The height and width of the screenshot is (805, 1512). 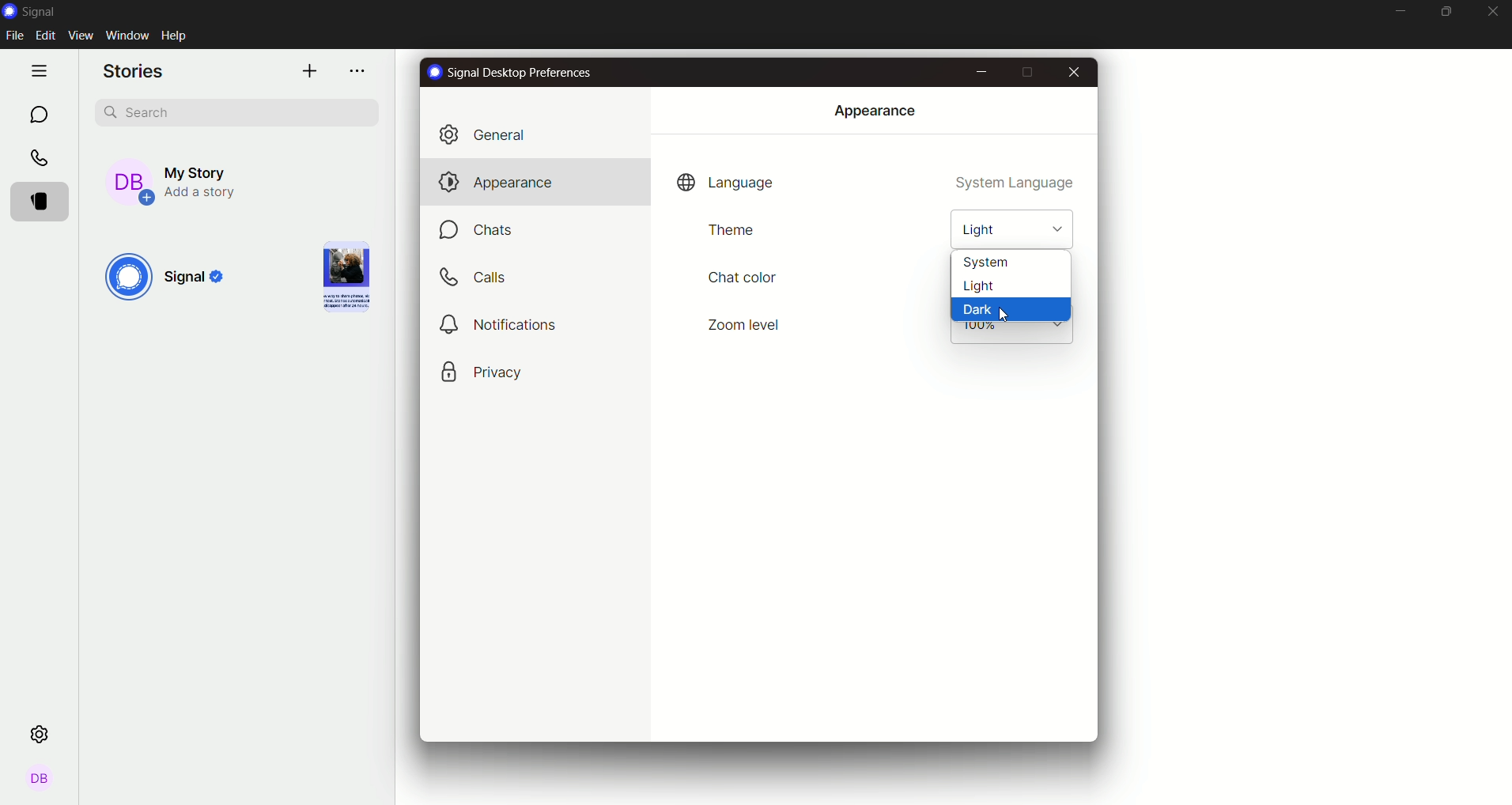 I want to click on file, so click(x=17, y=36).